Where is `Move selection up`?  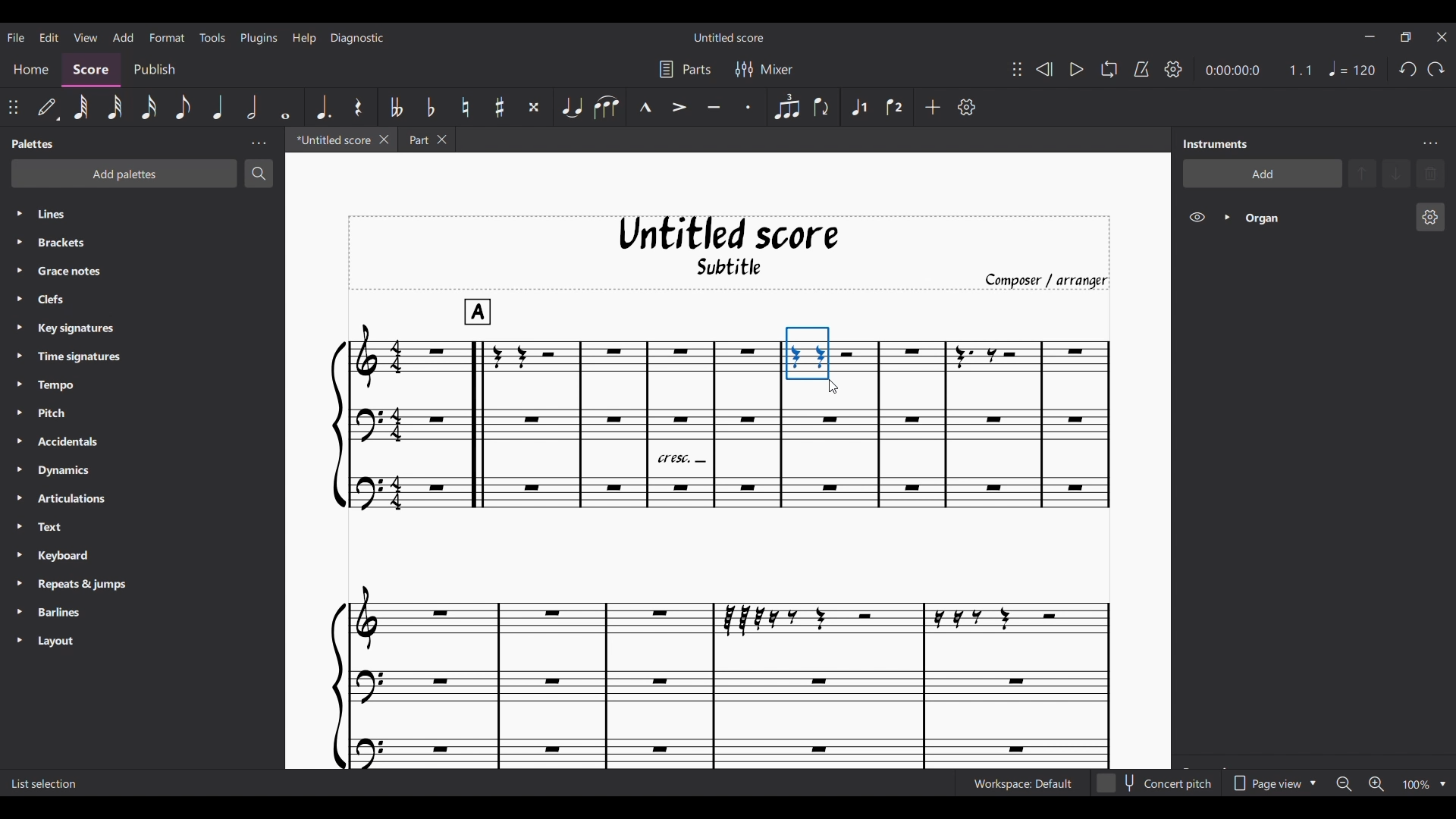 Move selection up is located at coordinates (1363, 173).